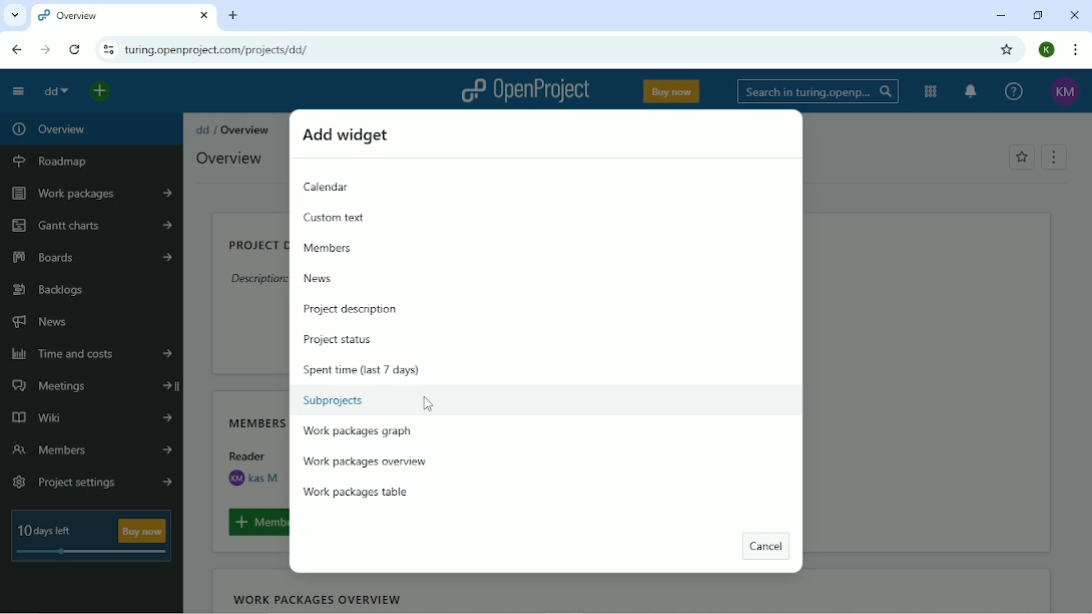 This screenshot has width=1092, height=614. I want to click on Menu, so click(1055, 156).